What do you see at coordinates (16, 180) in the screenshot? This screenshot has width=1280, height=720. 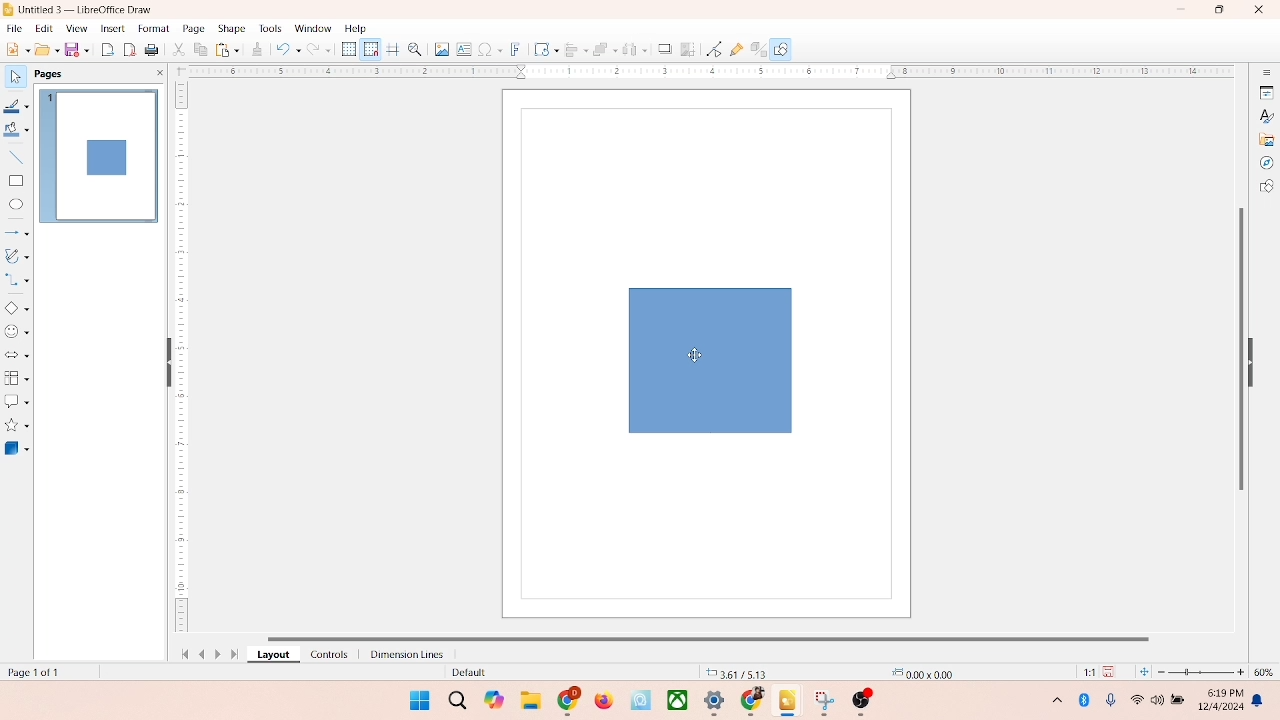 I see `rectangle` at bounding box center [16, 180].